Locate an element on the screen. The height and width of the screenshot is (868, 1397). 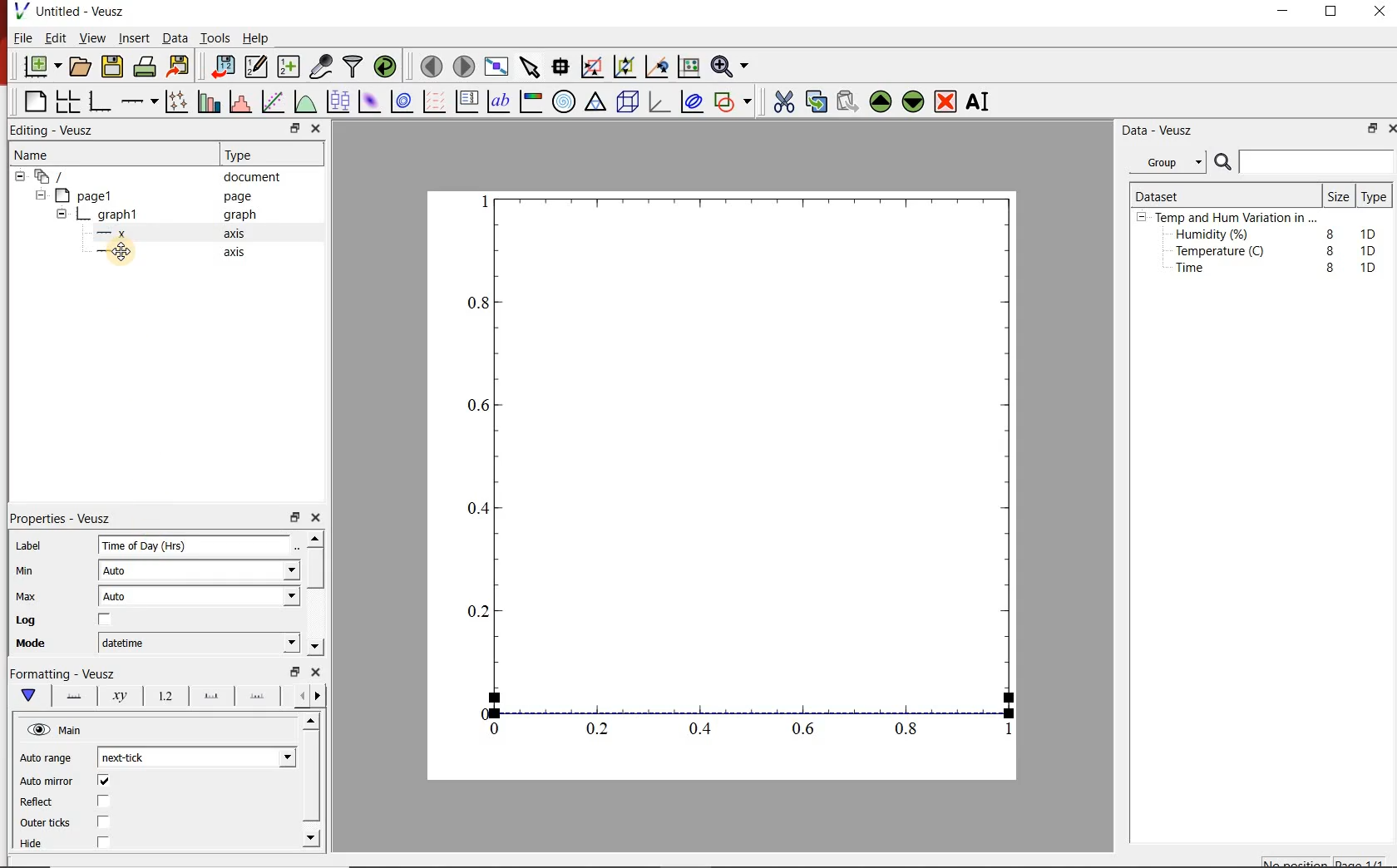
1 is located at coordinates (1003, 732).